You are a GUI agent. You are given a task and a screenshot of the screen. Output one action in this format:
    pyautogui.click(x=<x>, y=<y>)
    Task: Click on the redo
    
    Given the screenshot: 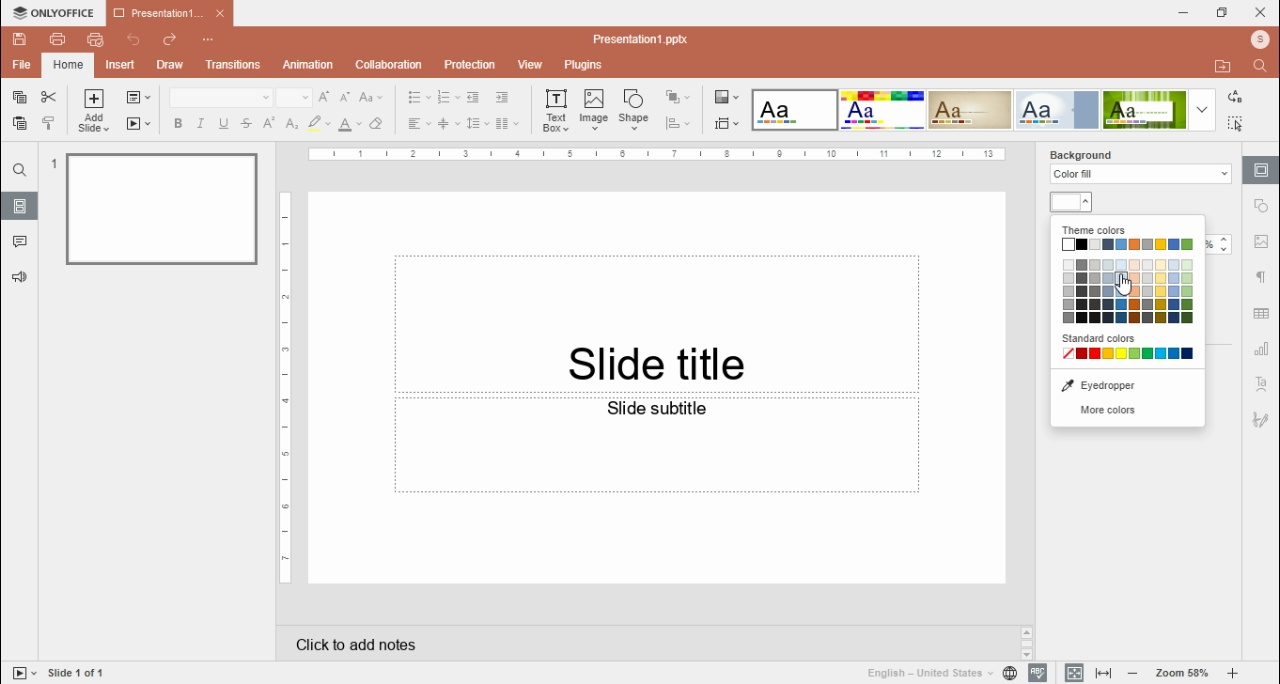 What is the action you would take?
    pyautogui.click(x=169, y=40)
    